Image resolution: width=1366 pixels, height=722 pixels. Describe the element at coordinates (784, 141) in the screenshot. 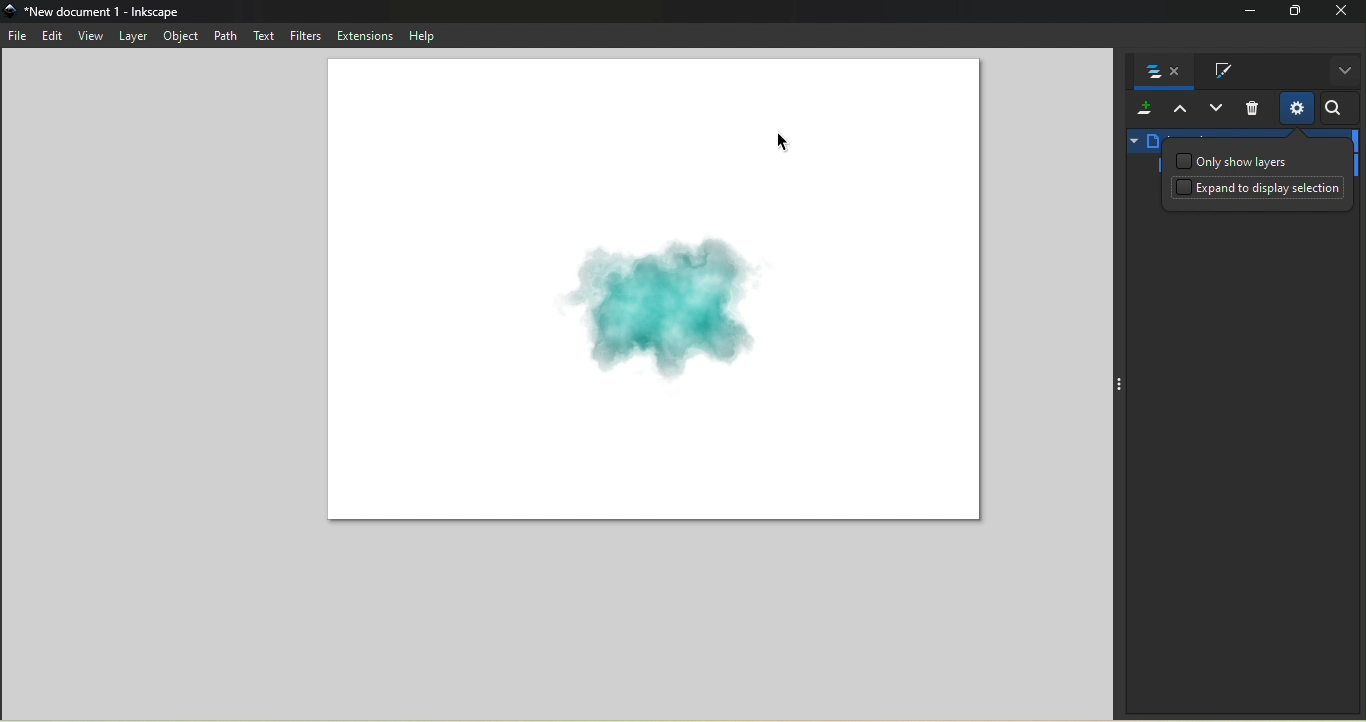

I see `cursor` at that location.